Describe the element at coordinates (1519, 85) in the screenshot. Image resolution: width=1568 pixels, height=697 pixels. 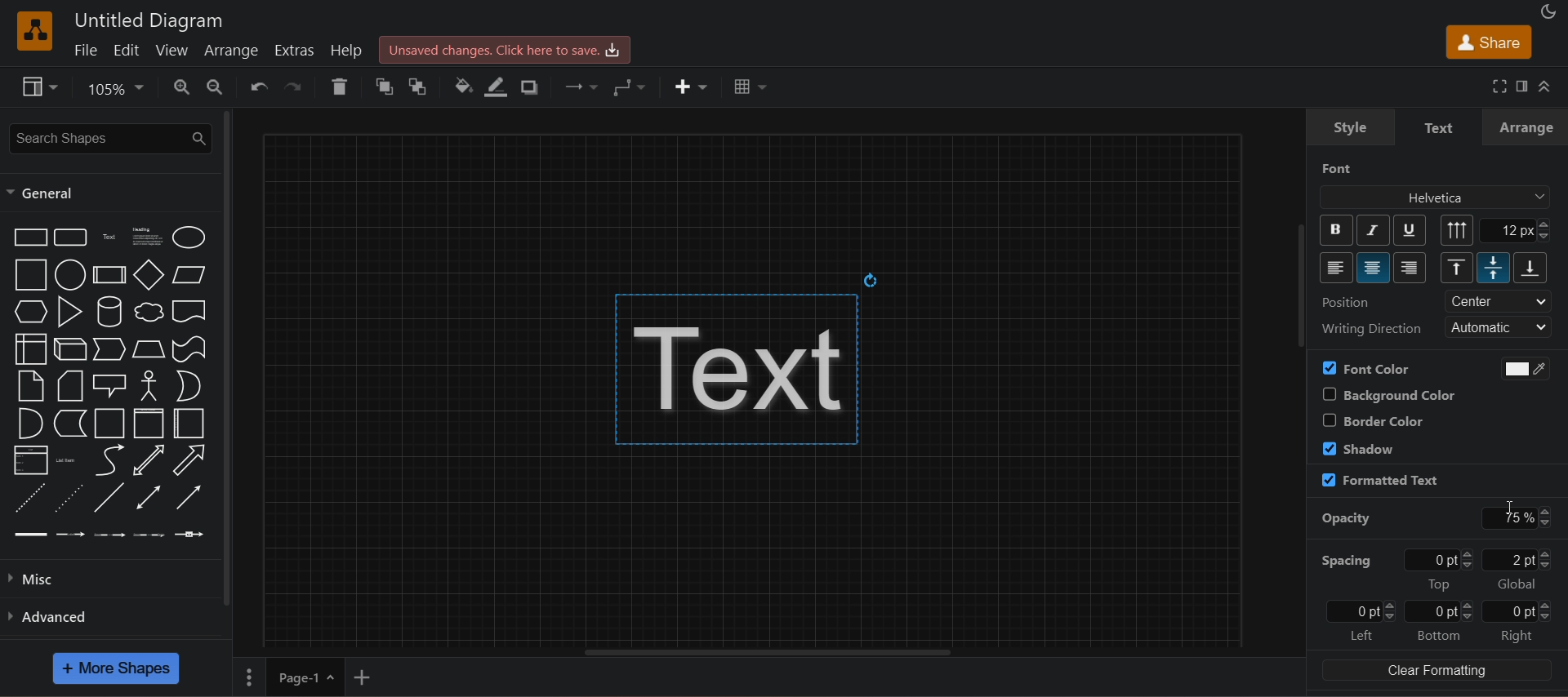
I see `format` at that location.